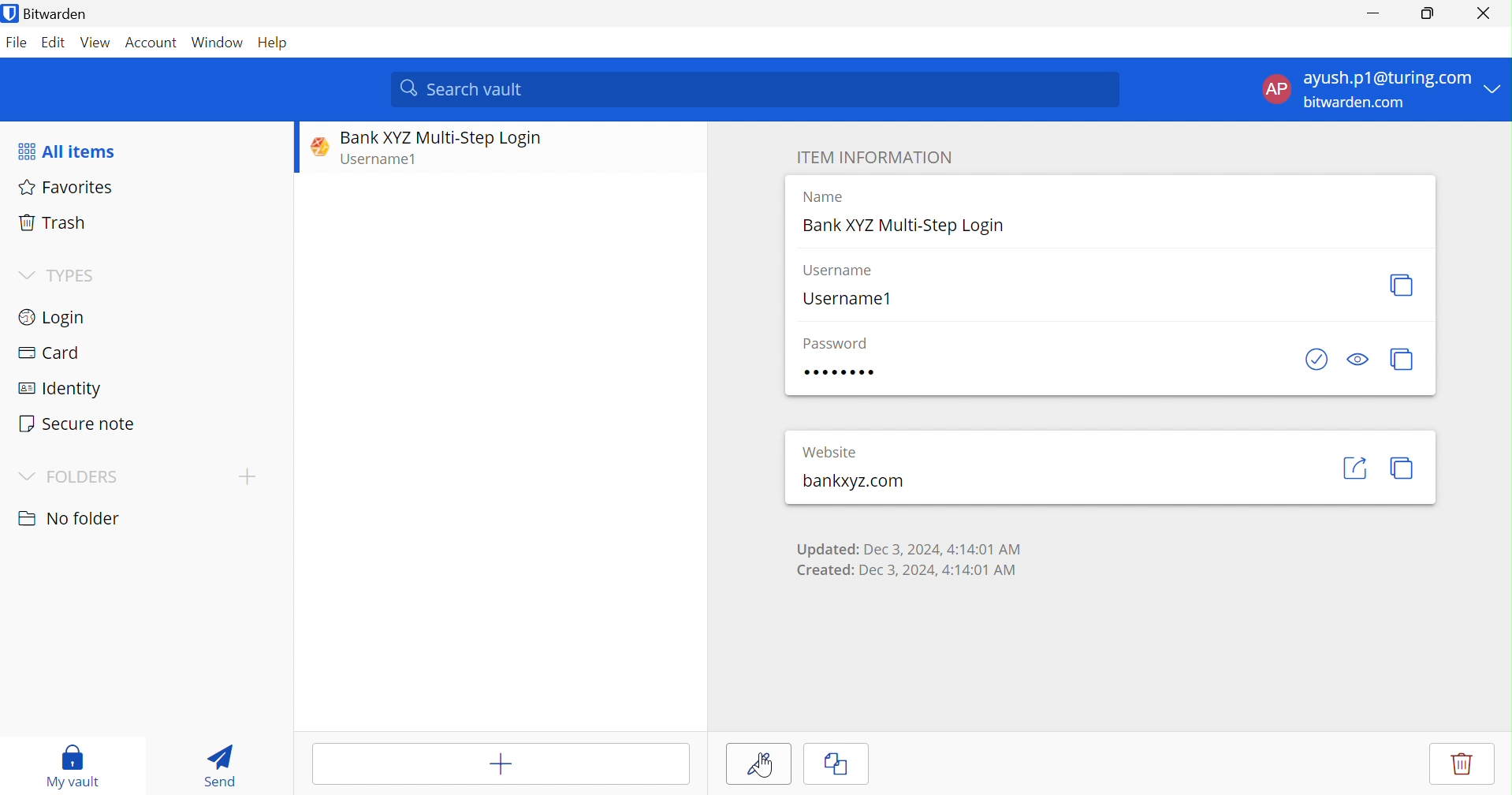 This screenshot has height=795, width=1512. What do you see at coordinates (154, 46) in the screenshot?
I see `Account` at bounding box center [154, 46].